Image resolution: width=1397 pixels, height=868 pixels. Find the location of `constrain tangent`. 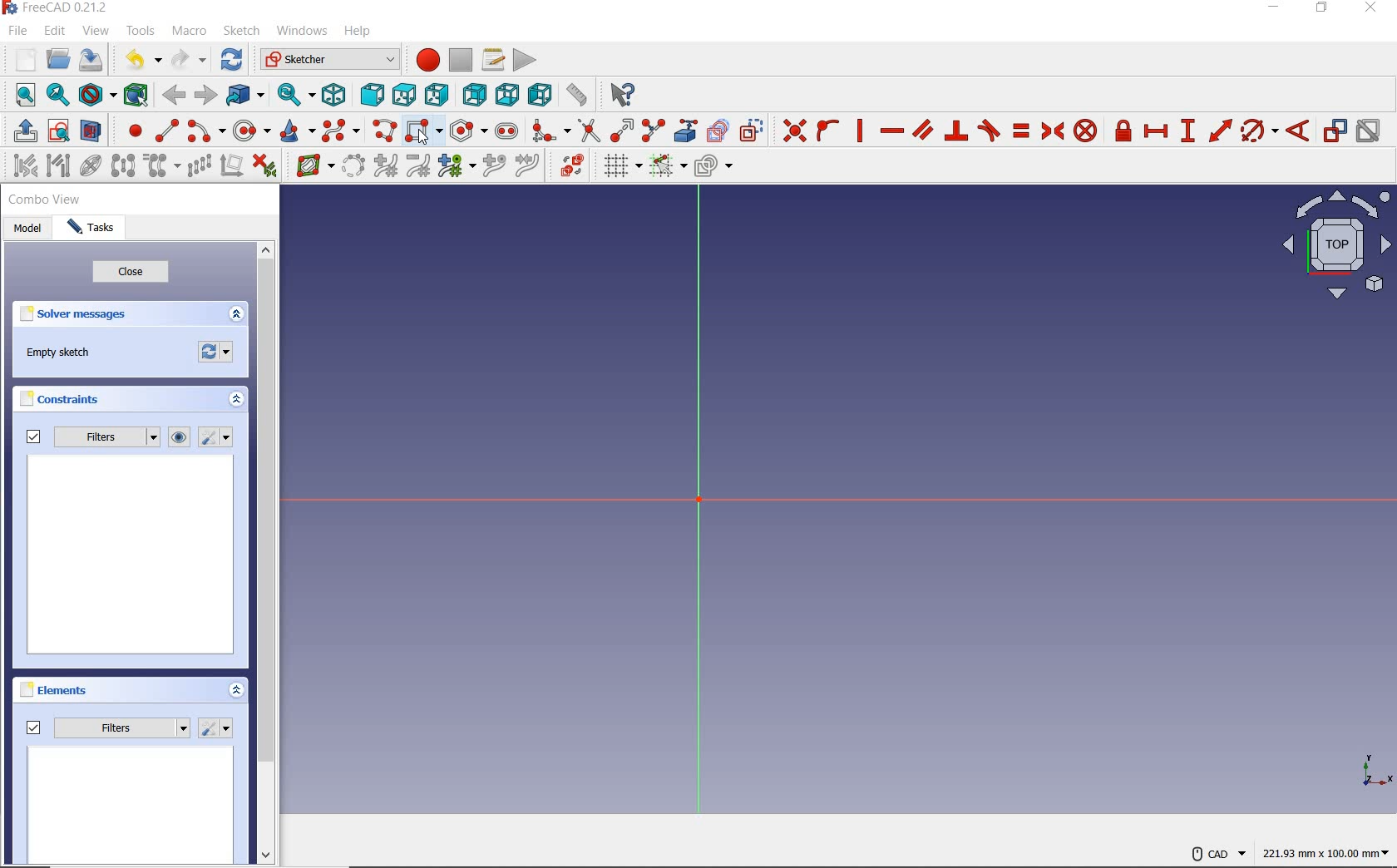

constrain tangent is located at coordinates (989, 131).